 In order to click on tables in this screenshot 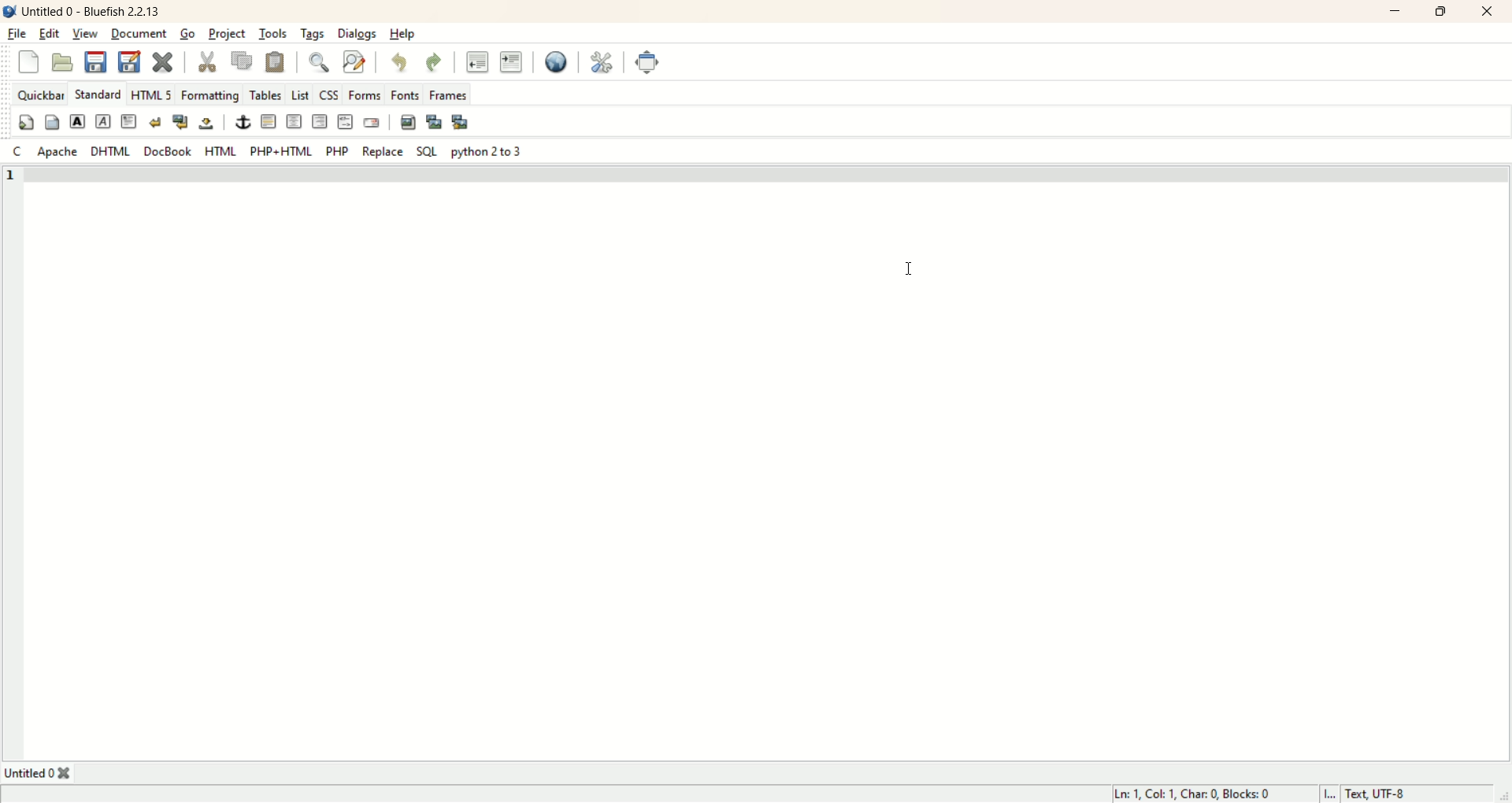, I will do `click(263, 96)`.